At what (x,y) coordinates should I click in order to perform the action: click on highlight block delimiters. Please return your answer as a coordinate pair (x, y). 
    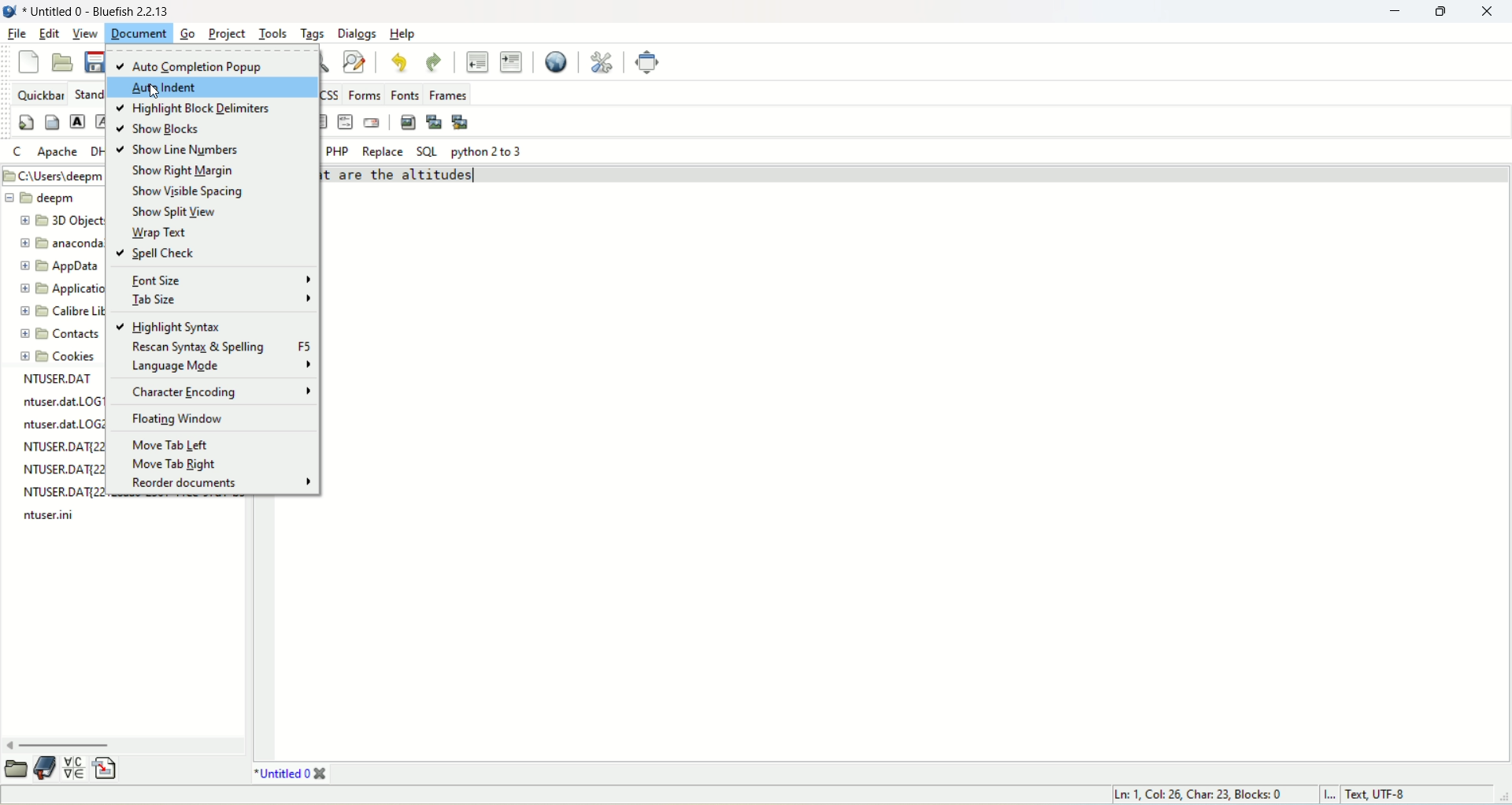
    Looking at the image, I should click on (196, 109).